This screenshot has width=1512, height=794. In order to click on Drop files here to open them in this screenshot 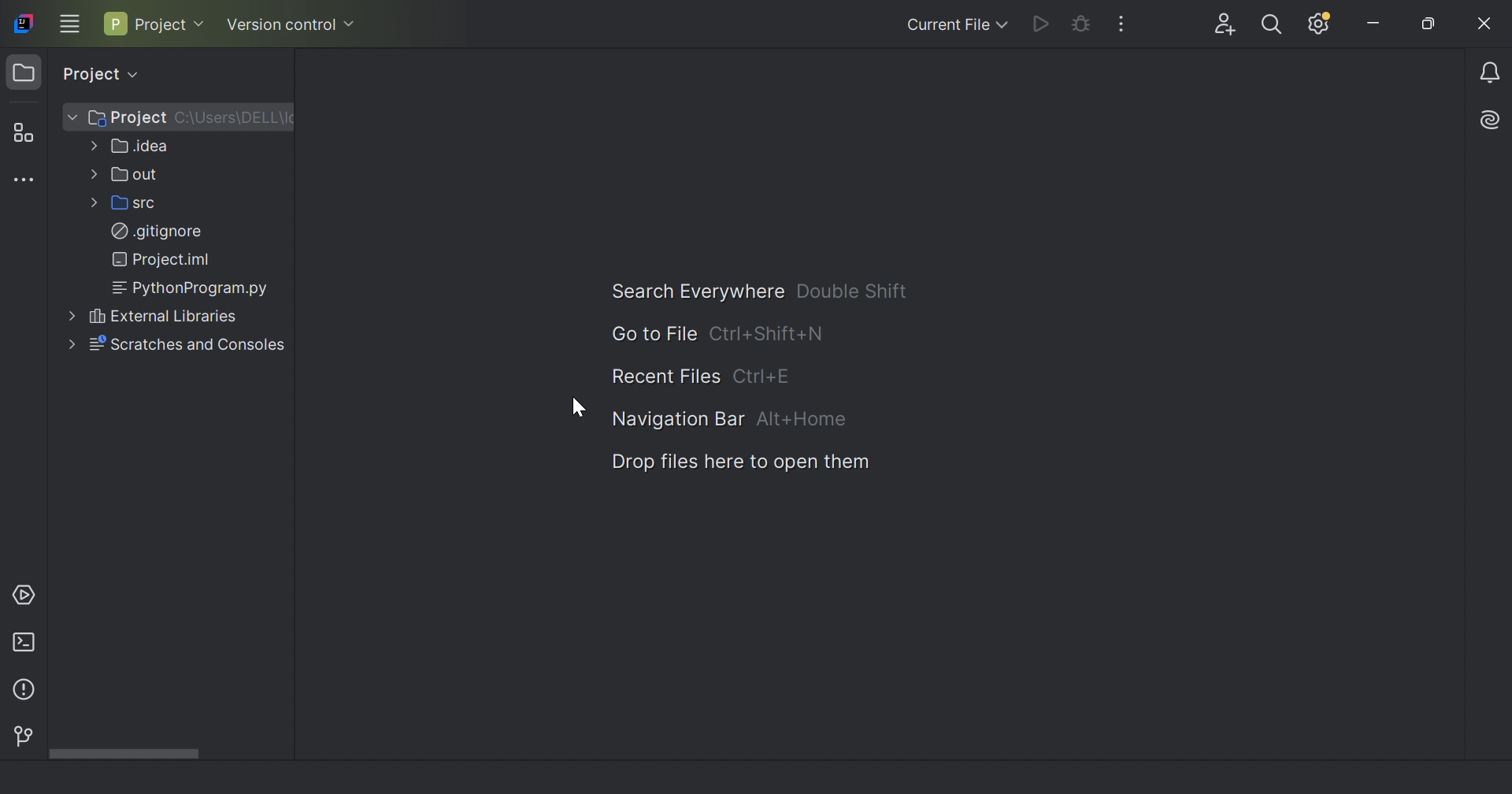, I will do `click(743, 462)`.